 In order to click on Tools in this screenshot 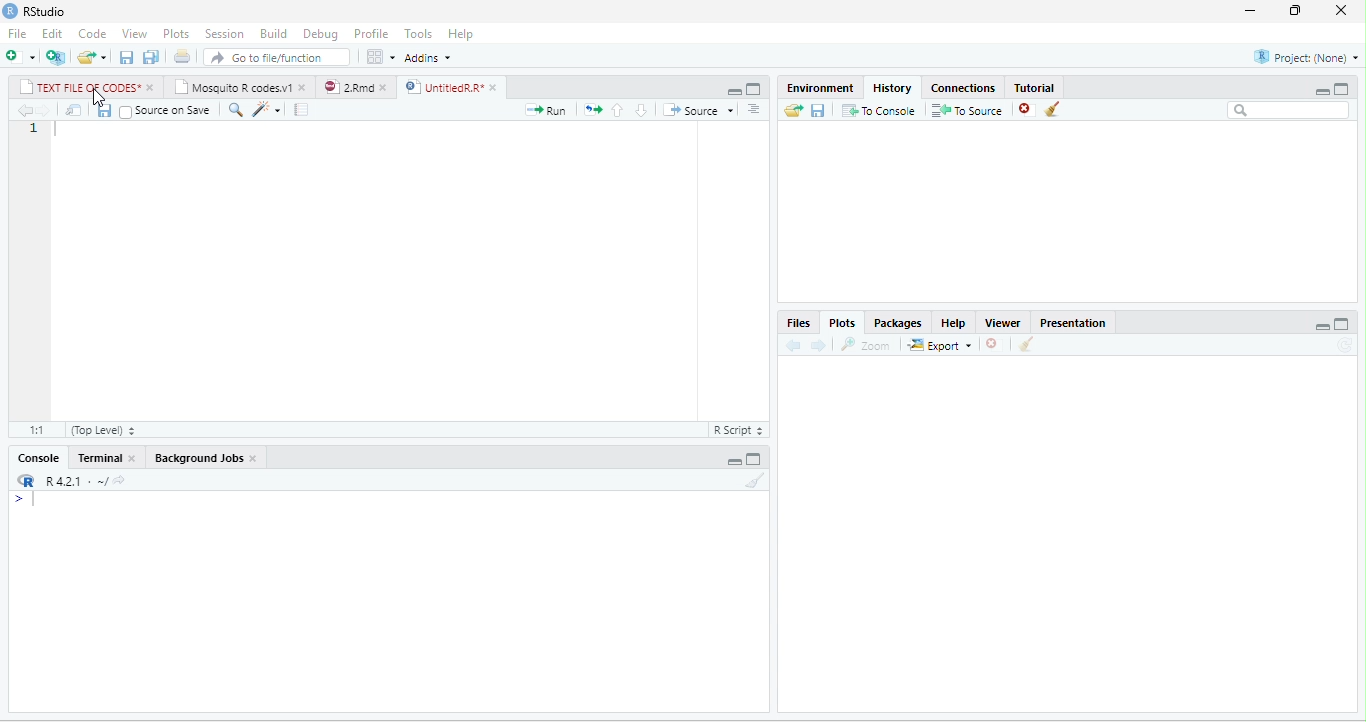, I will do `click(419, 35)`.